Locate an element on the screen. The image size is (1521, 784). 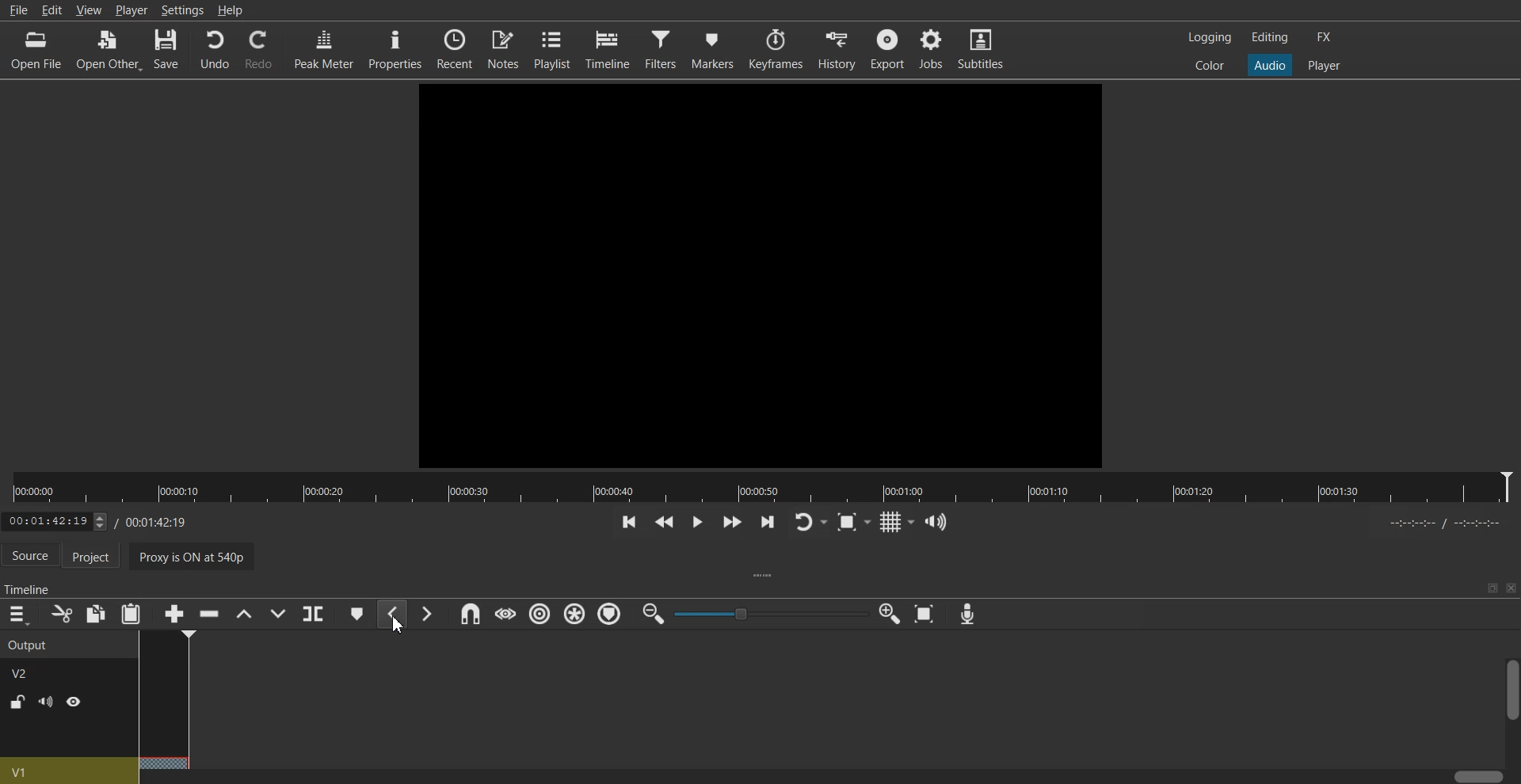
Switch to the Editing layout is located at coordinates (1270, 36).